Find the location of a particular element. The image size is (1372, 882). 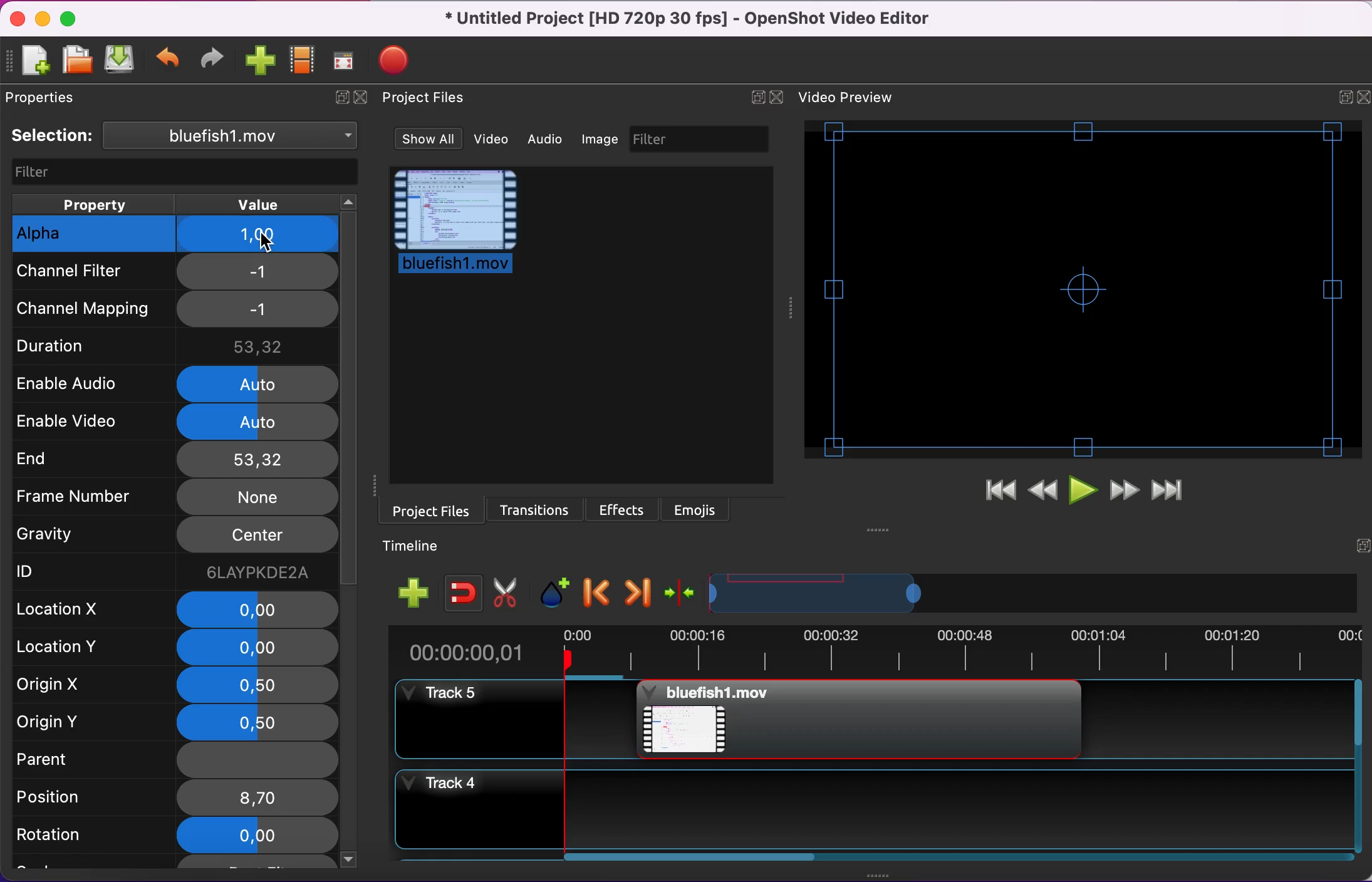

location x is located at coordinates (72, 611).